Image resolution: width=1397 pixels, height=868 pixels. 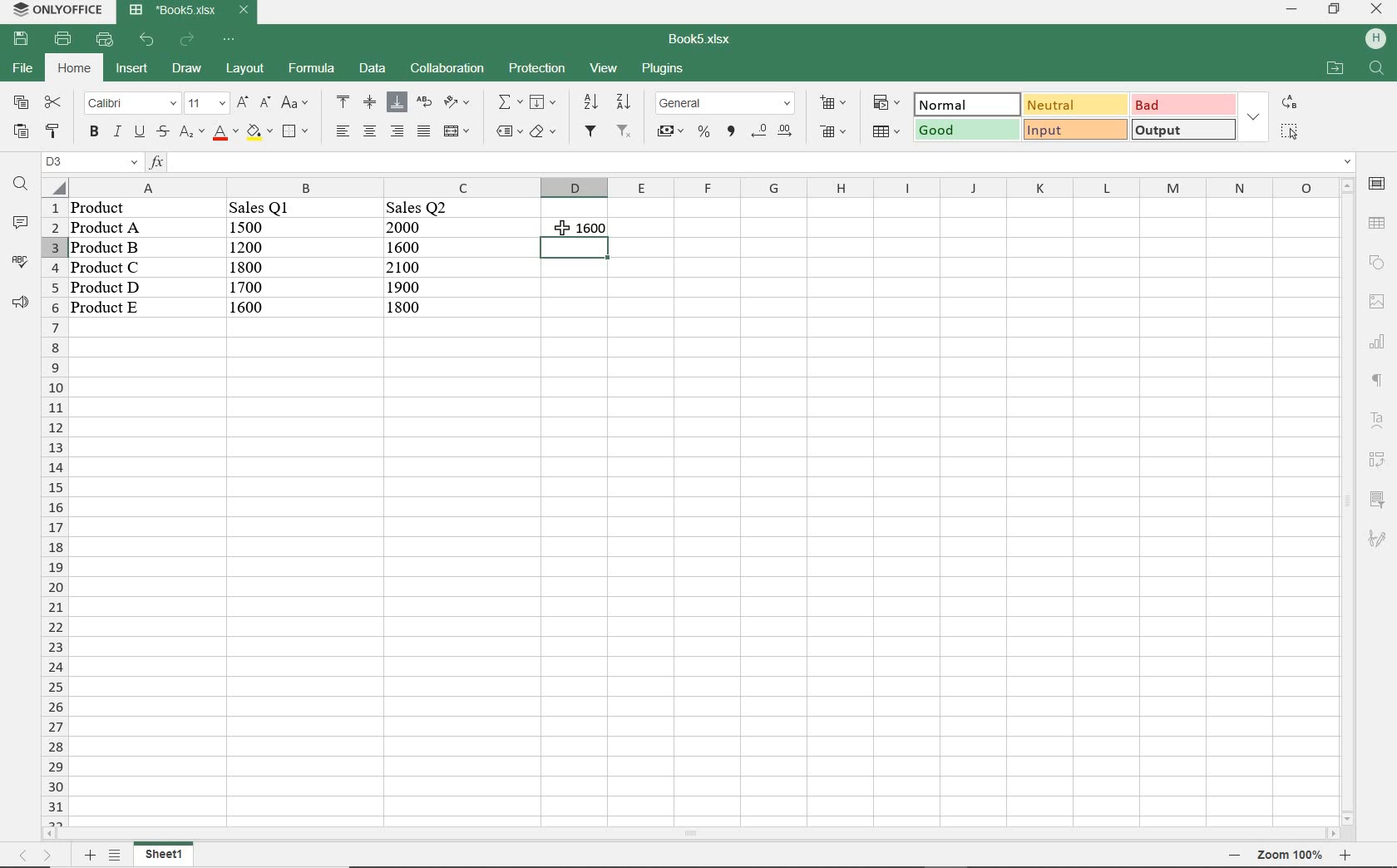 I want to click on find, so click(x=21, y=185).